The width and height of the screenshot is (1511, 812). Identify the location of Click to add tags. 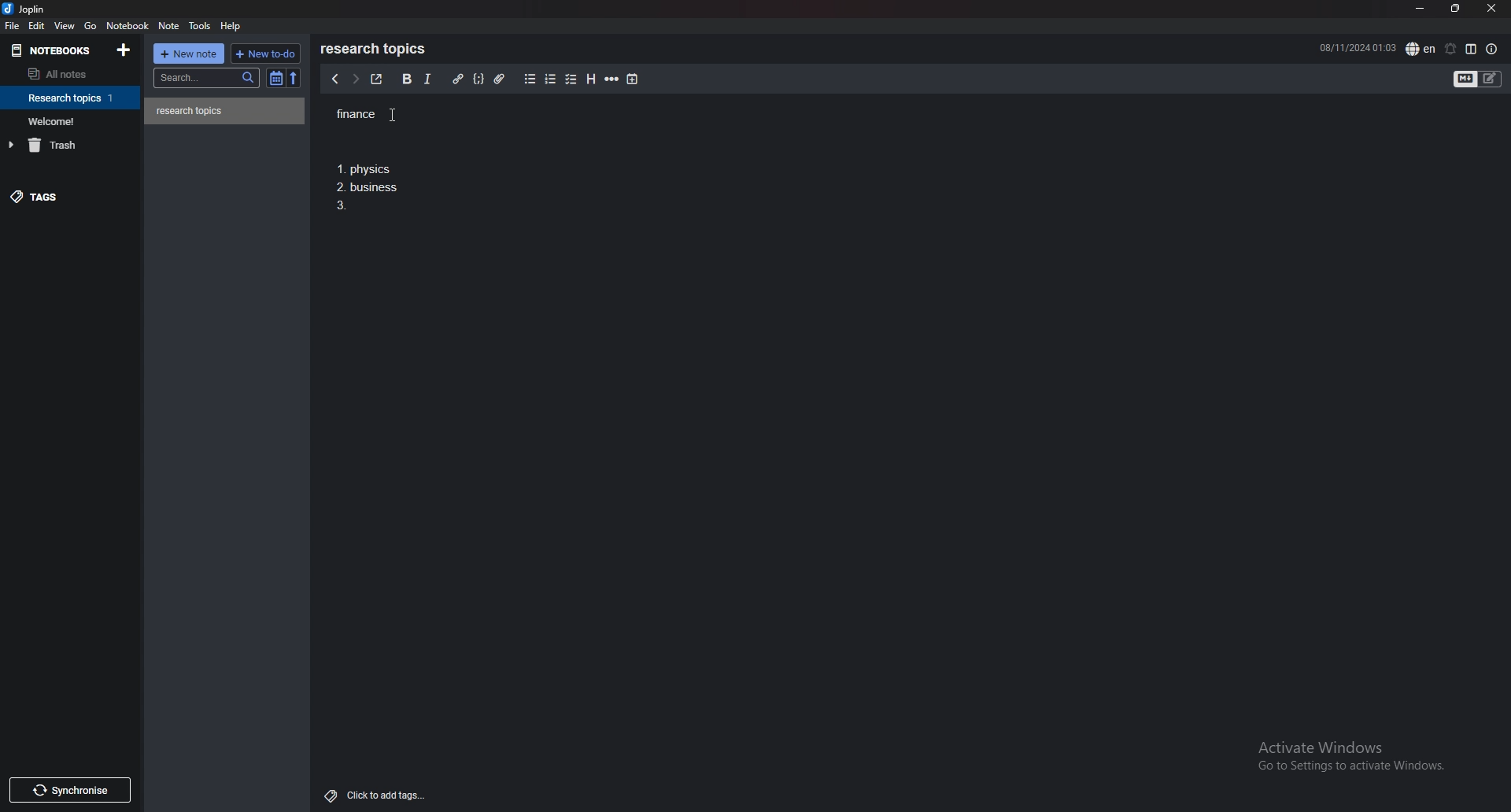
(371, 795).